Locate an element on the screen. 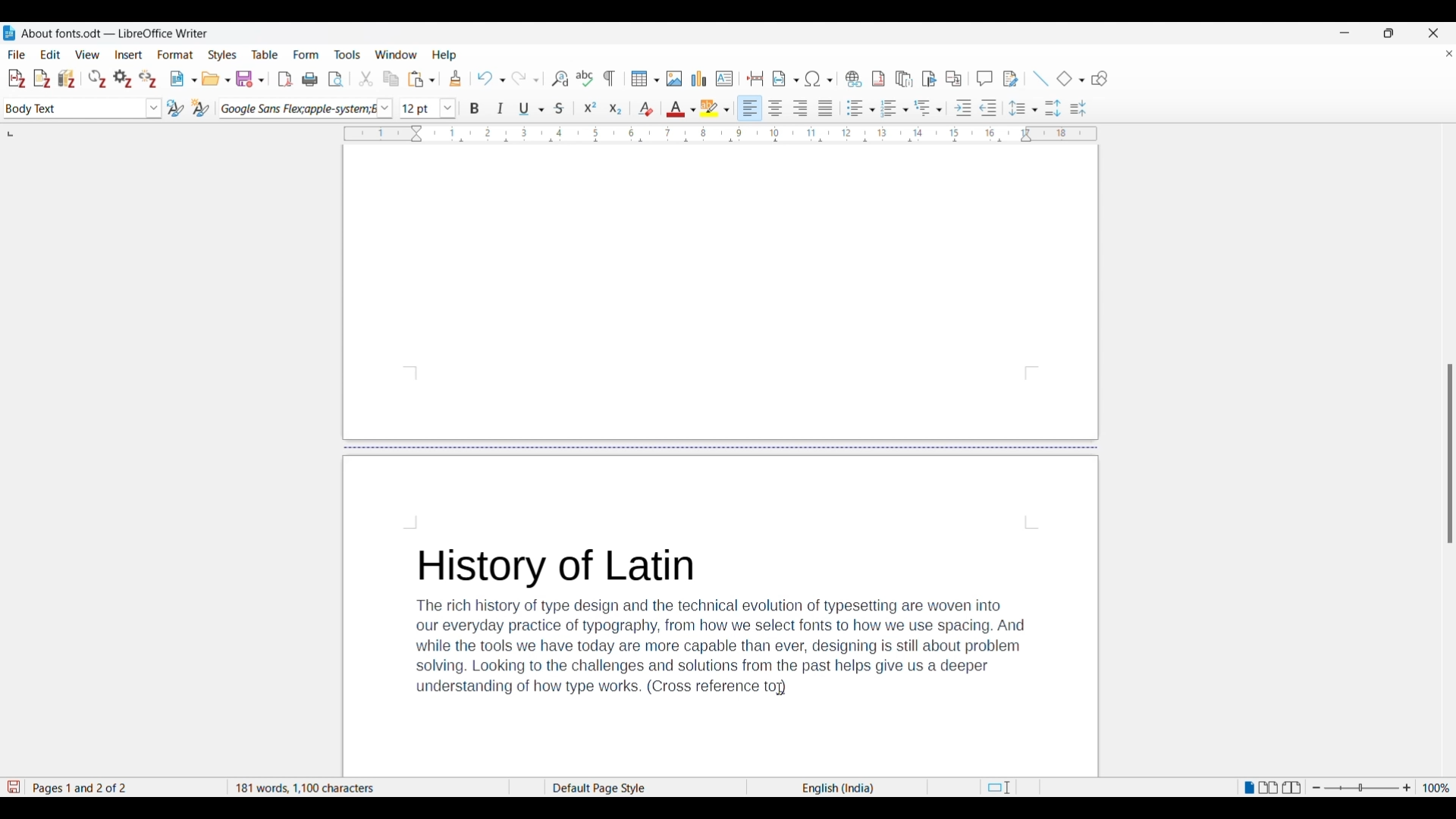 The width and height of the screenshot is (1456, 819). Help menu is located at coordinates (444, 55).